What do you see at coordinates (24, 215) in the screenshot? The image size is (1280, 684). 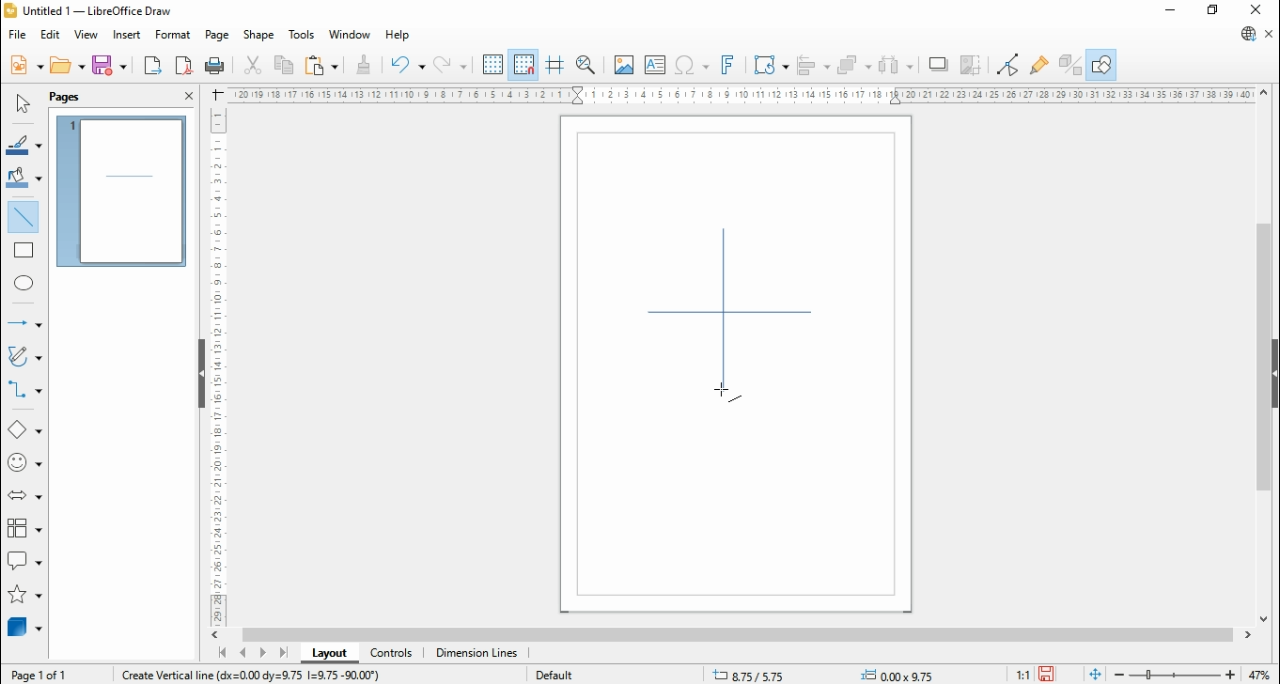 I see `insert line` at bounding box center [24, 215].